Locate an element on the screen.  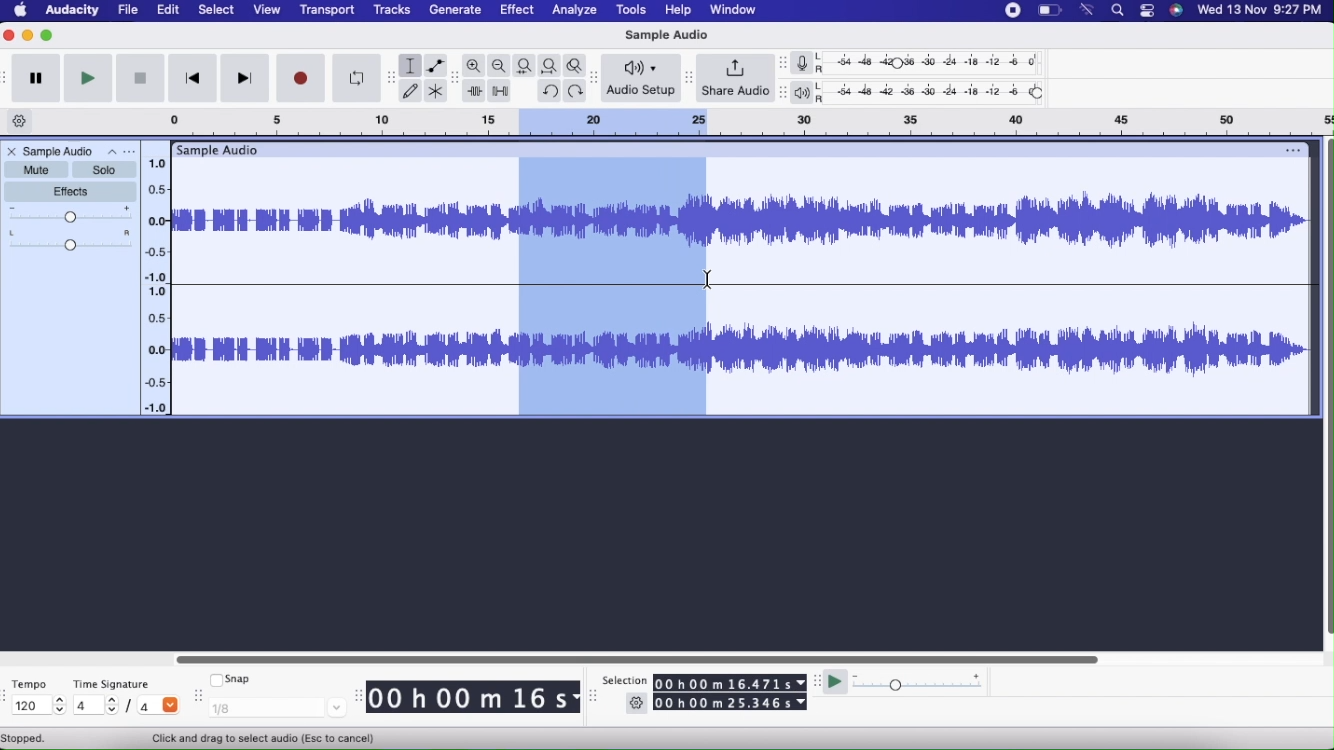
move toolbar is located at coordinates (8, 78).